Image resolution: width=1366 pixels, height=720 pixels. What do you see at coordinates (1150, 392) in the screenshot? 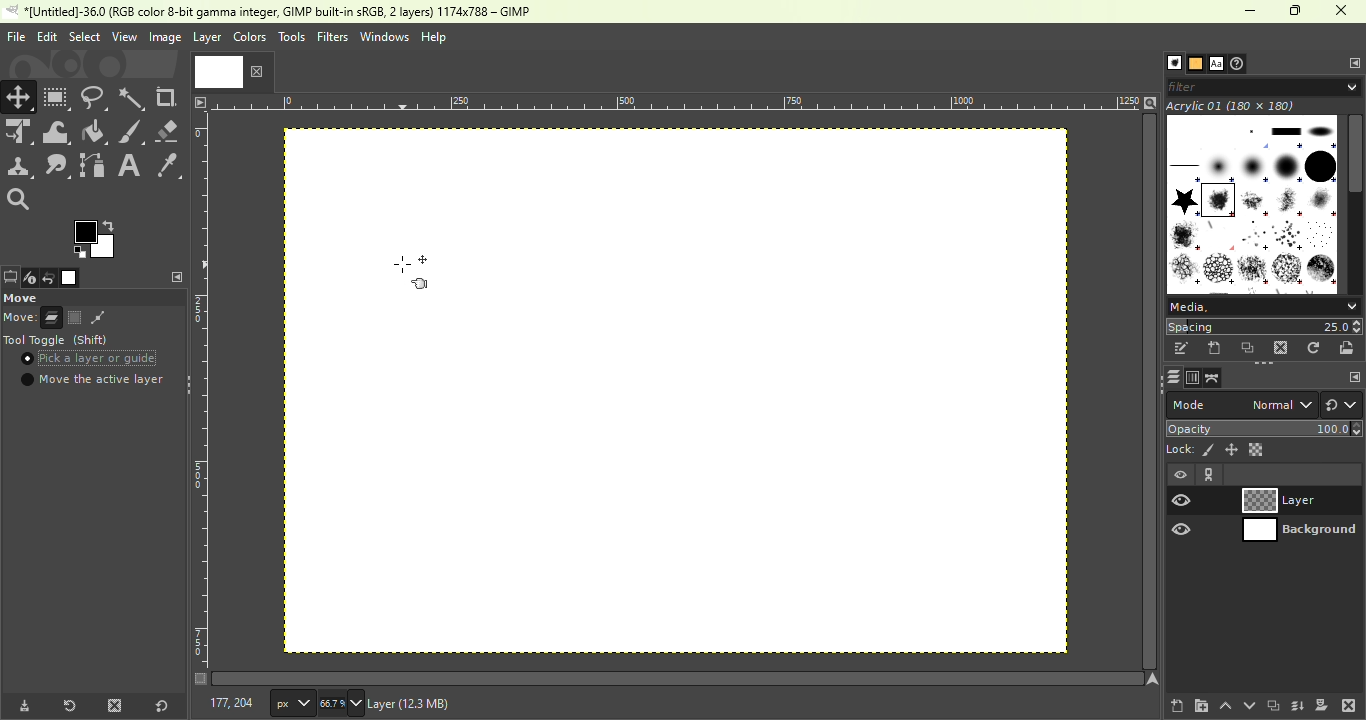
I see `Horizontal scrollbar` at bounding box center [1150, 392].